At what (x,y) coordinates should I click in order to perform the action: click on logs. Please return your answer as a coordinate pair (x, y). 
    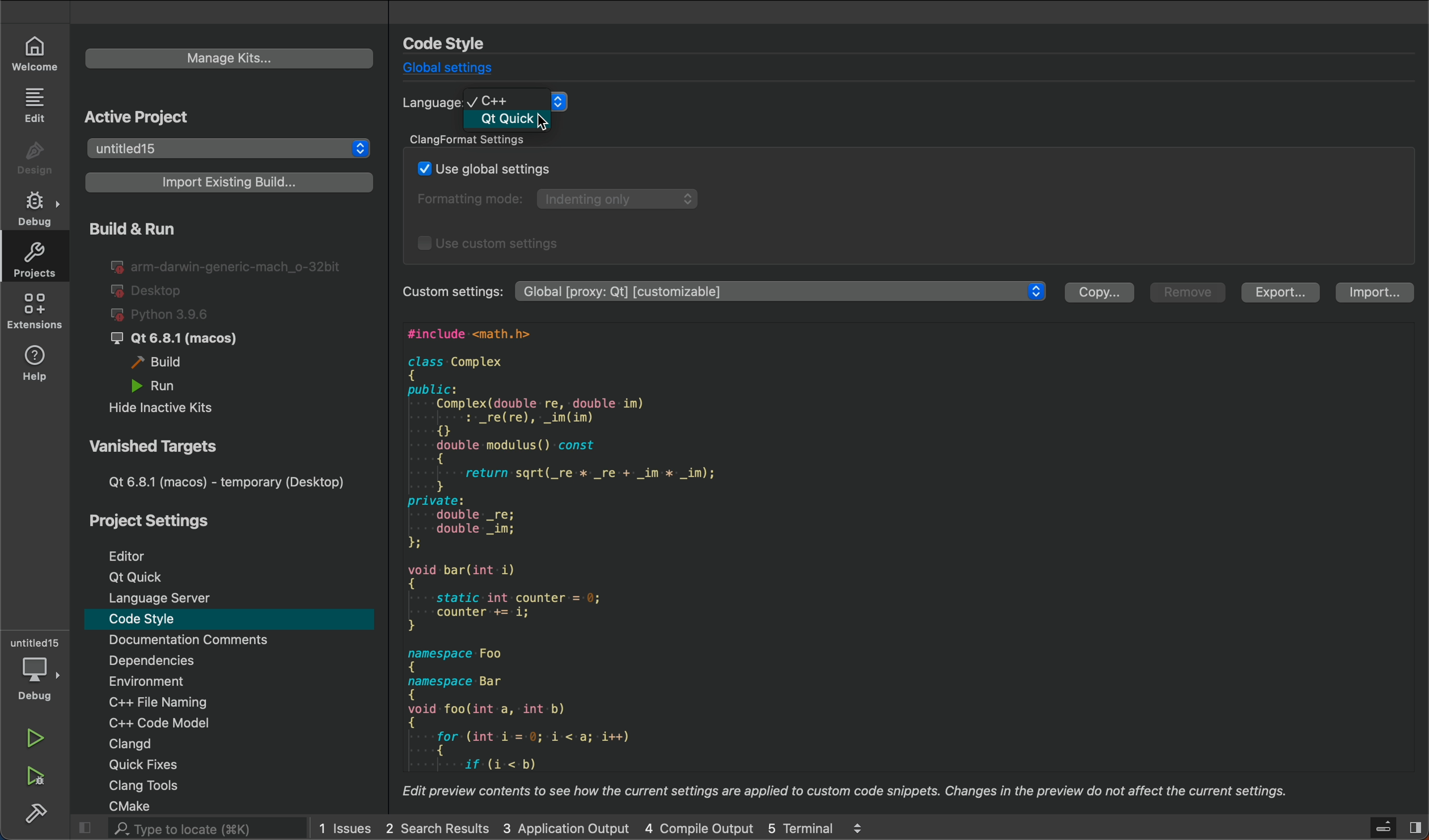
    Looking at the image, I should click on (590, 828).